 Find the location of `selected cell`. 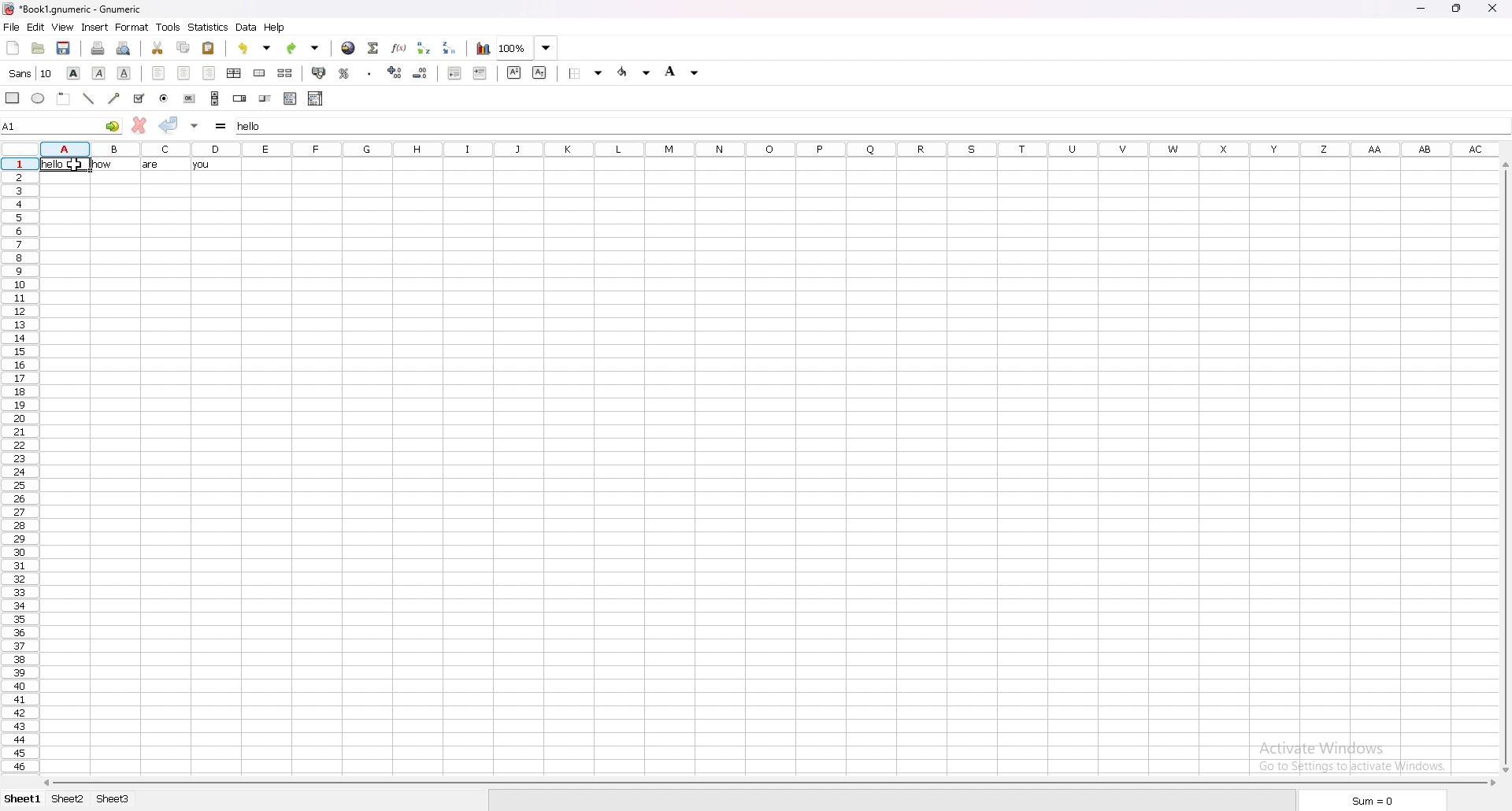

selected cell is located at coordinates (61, 125).